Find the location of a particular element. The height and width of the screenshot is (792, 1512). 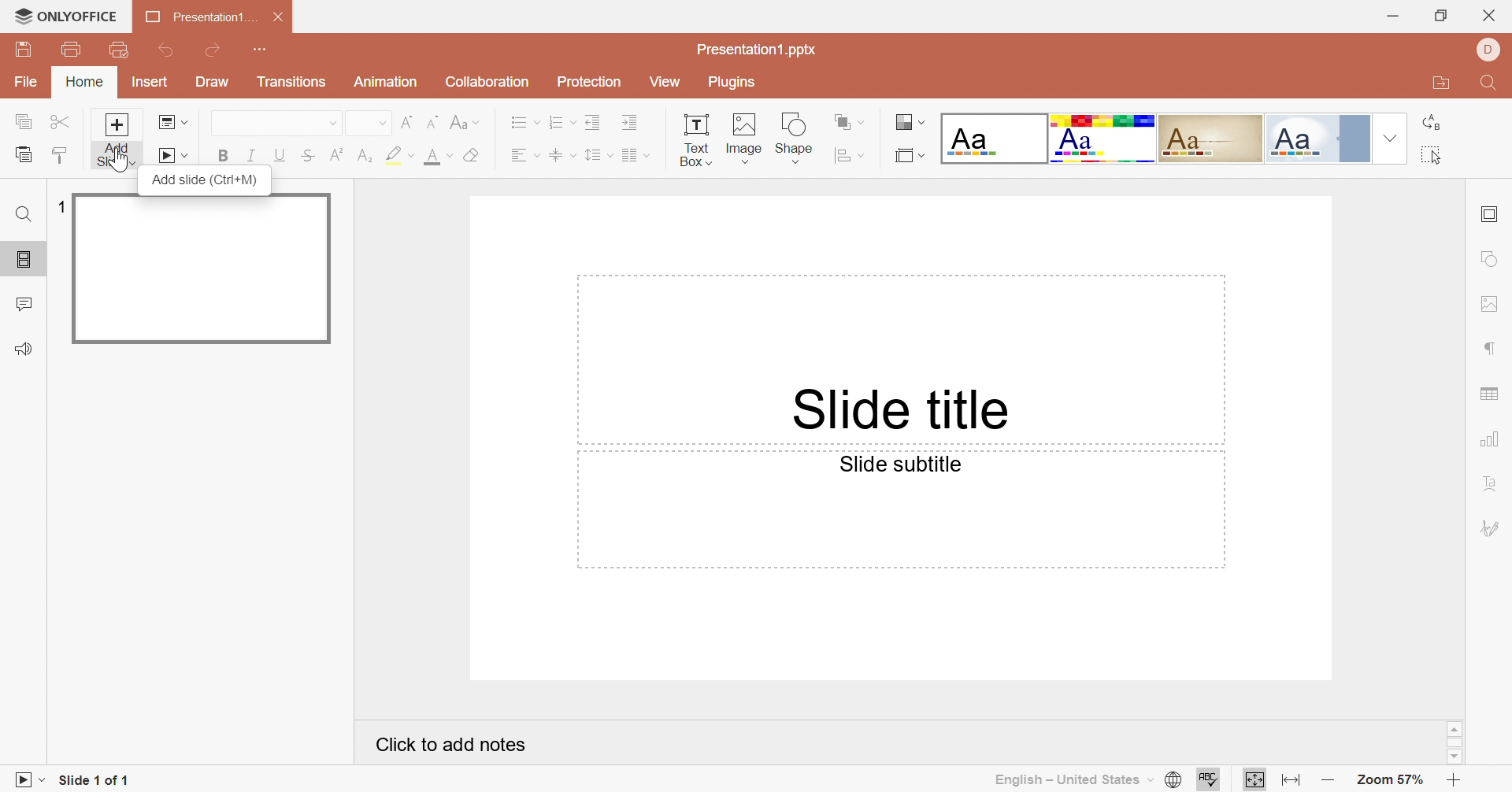

Superscript is located at coordinates (335, 155).